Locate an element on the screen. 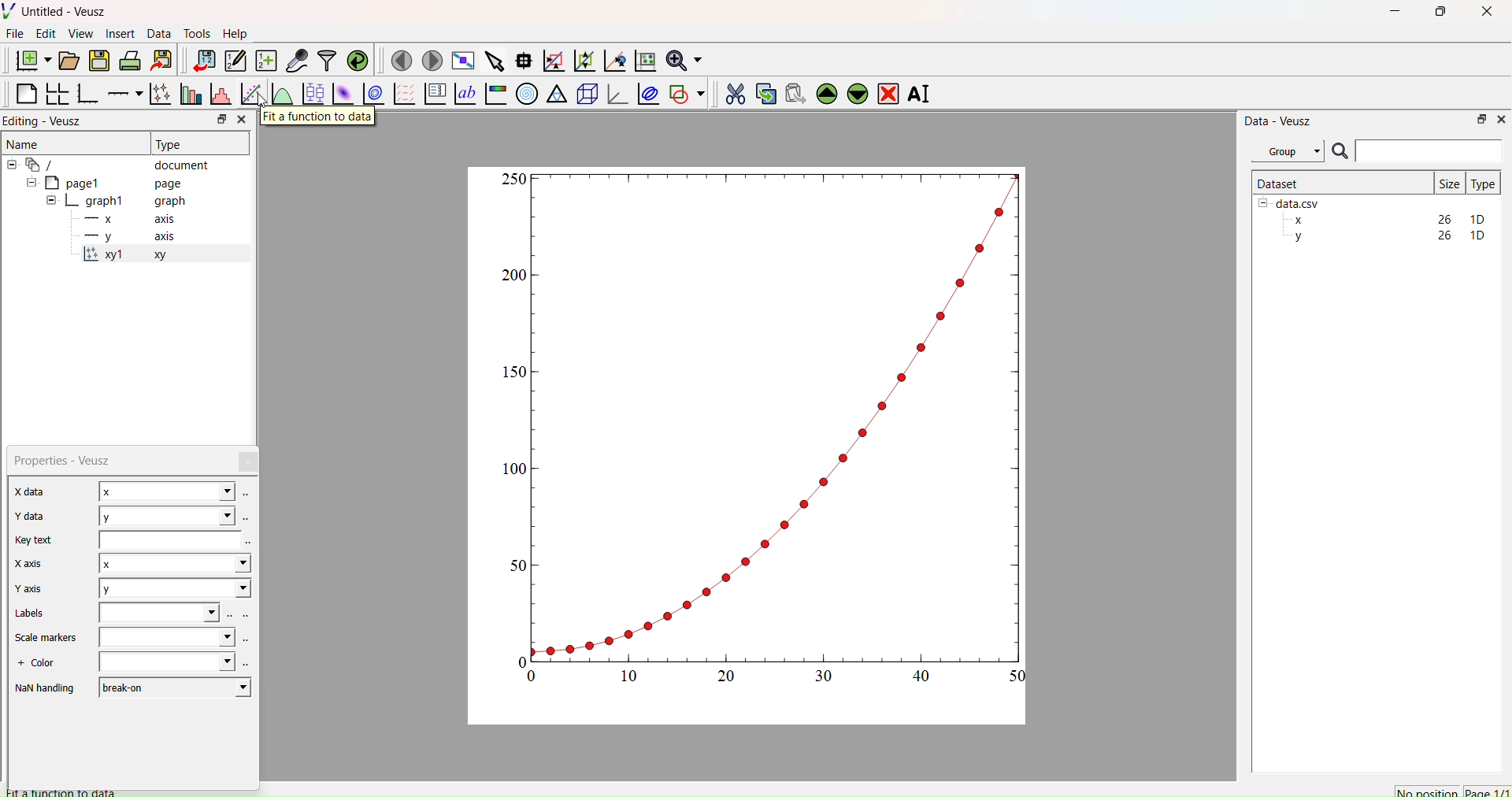 The width and height of the screenshot is (1512, 797). Plot box plots is located at coordinates (313, 94).